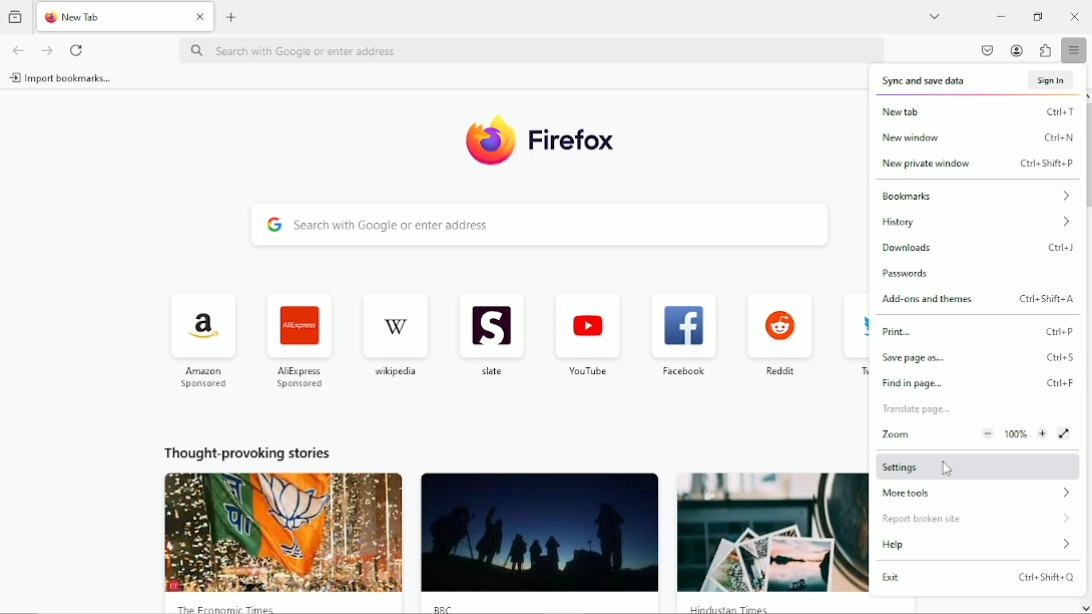 The width and height of the screenshot is (1092, 614). What do you see at coordinates (976, 494) in the screenshot?
I see `more tools` at bounding box center [976, 494].